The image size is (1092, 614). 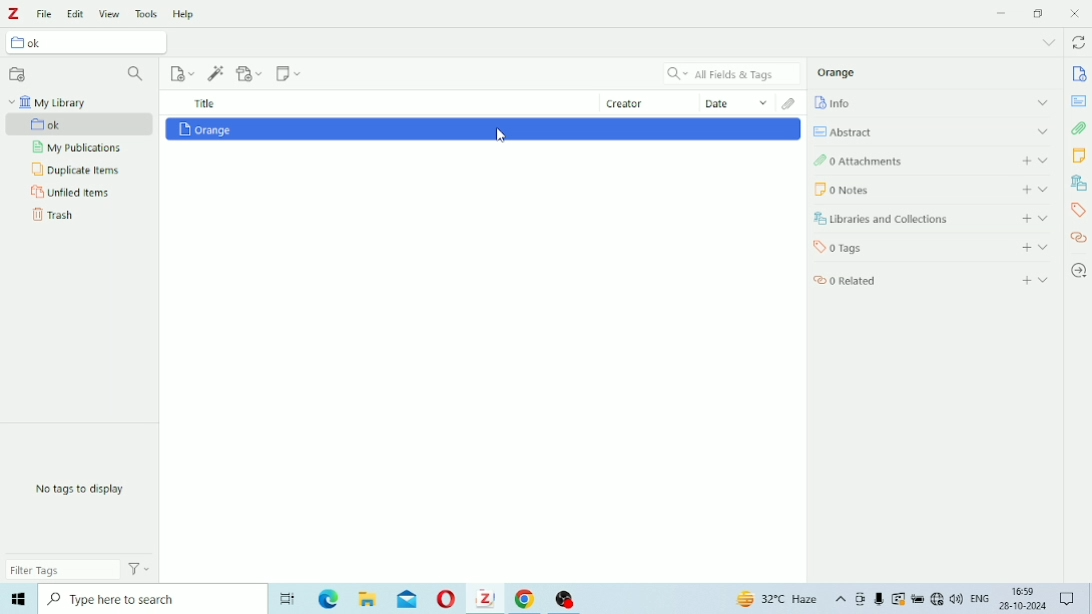 I want to click on My Library, so click(x=47, y=102).